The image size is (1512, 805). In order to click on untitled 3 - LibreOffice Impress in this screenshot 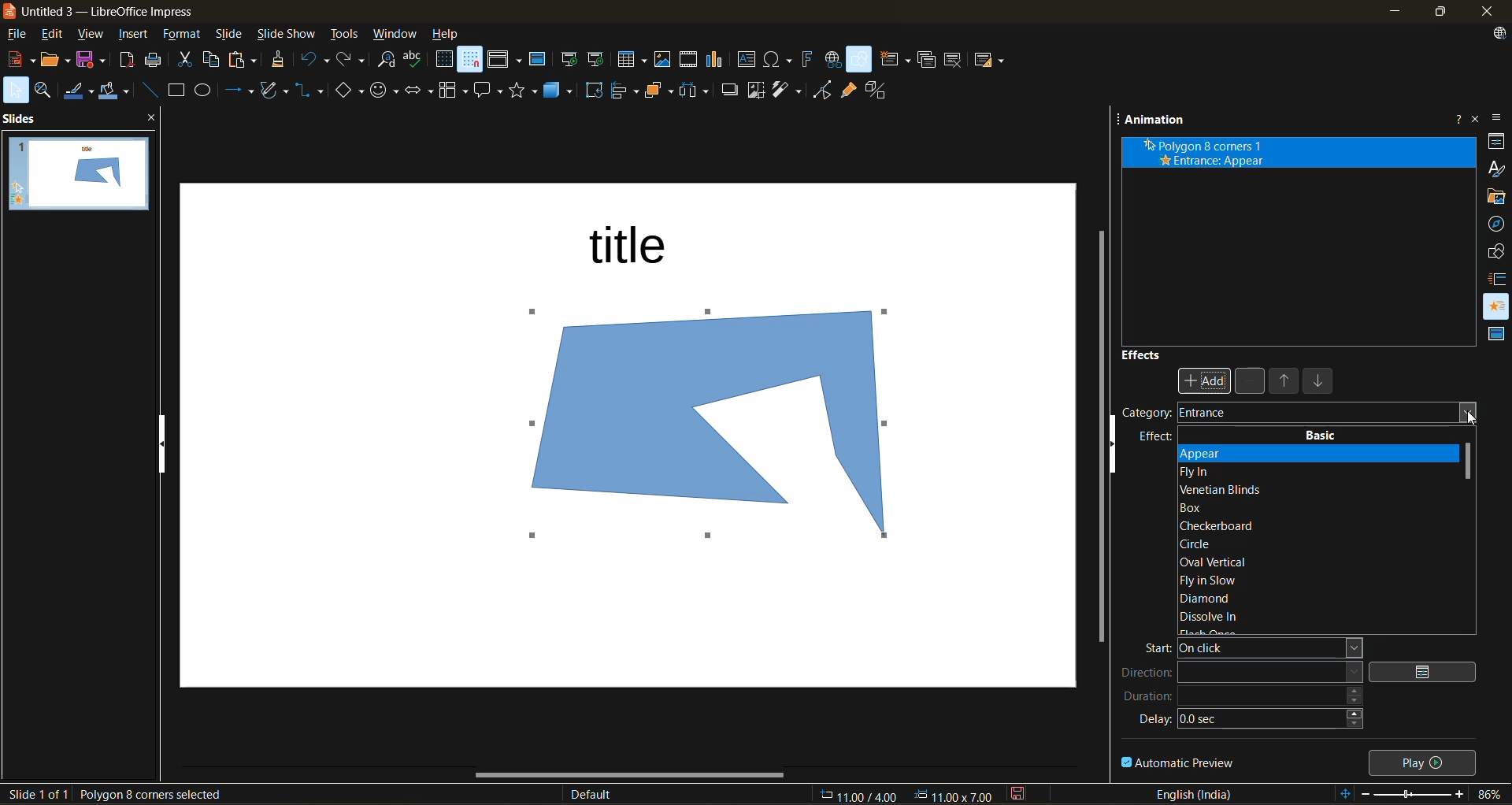, I will do `click(124, 9)`.